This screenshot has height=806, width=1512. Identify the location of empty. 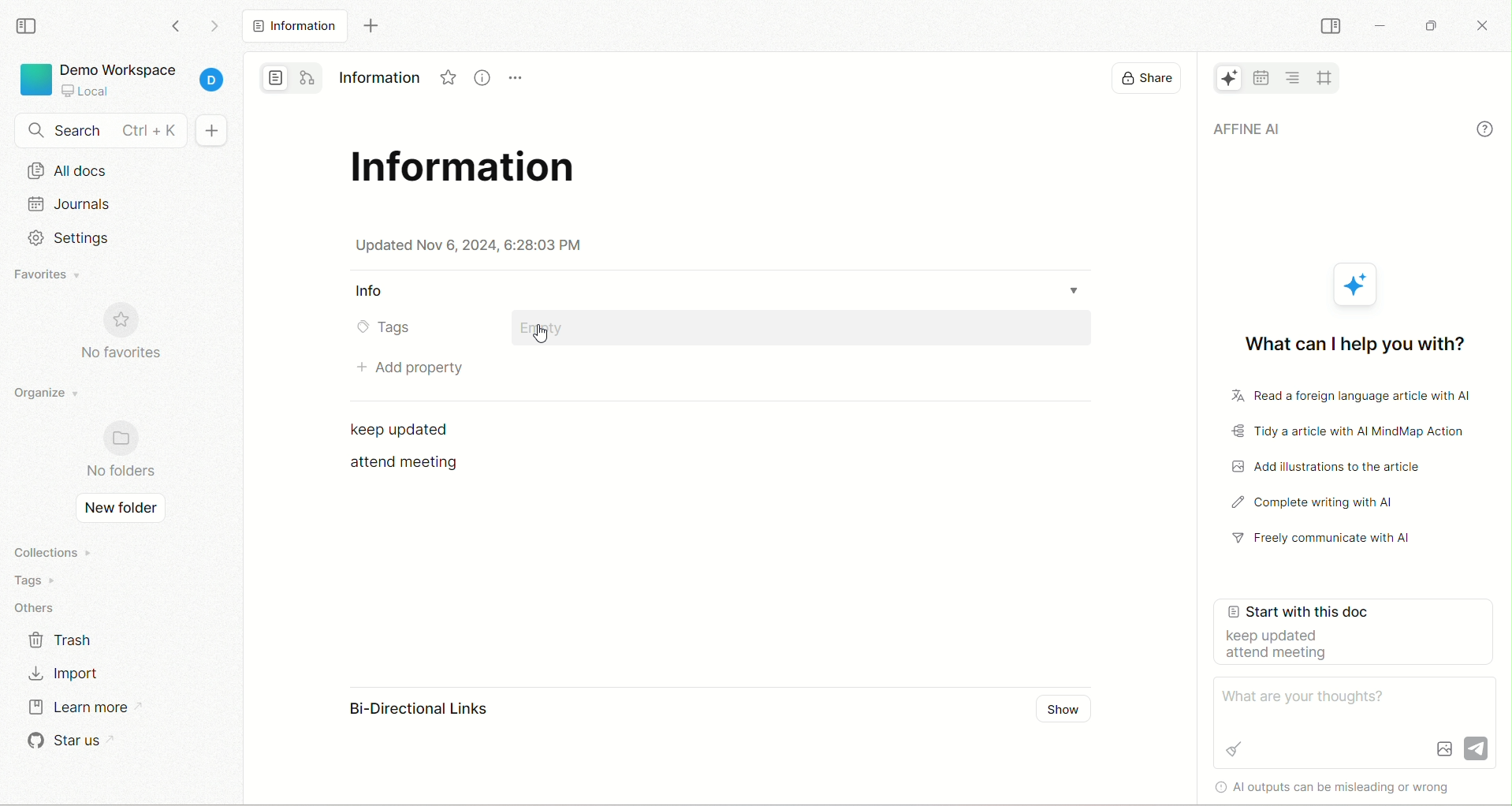
(805, 329).